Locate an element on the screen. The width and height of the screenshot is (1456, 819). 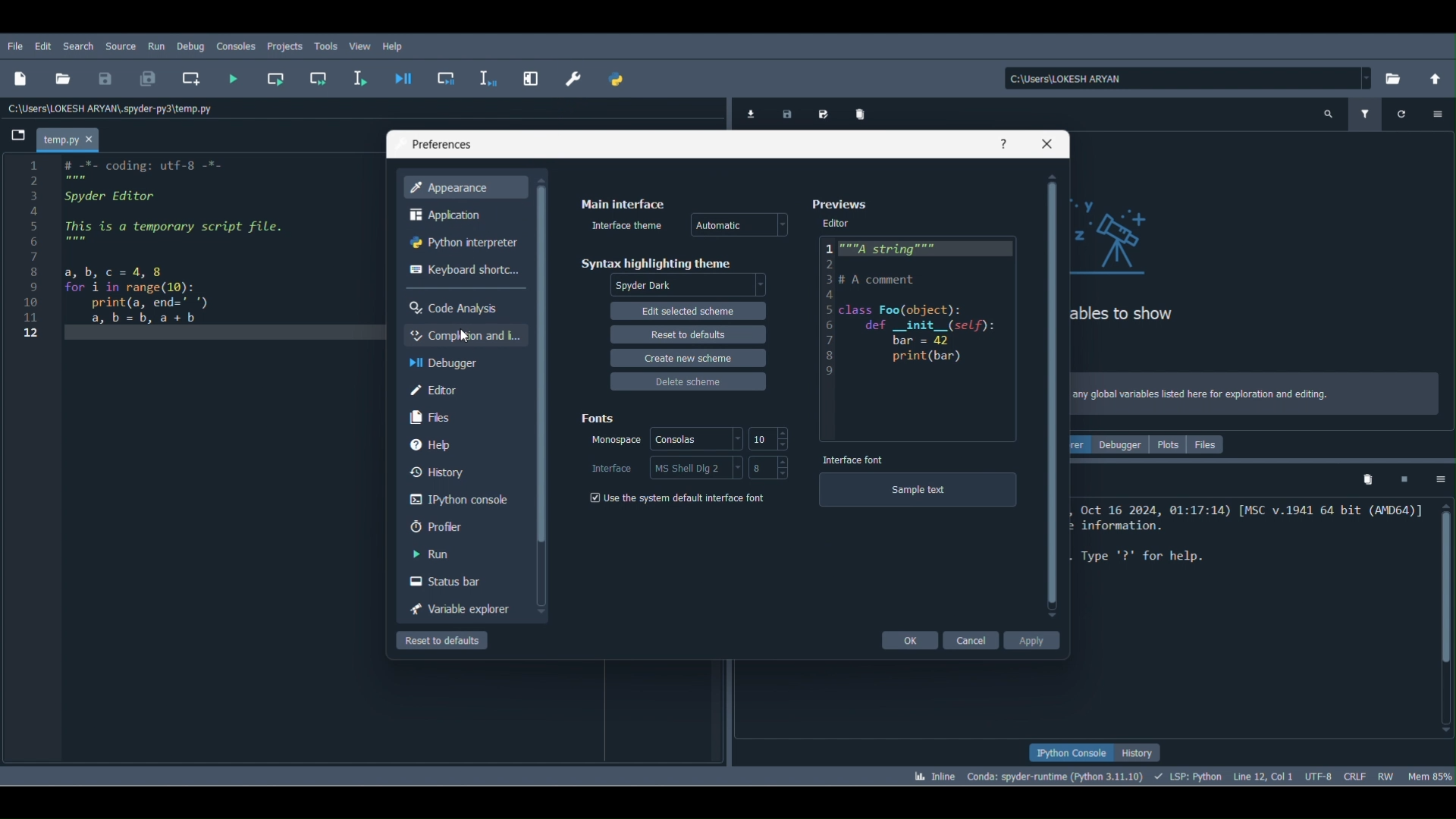
Application is located at coordinates (462, 217).